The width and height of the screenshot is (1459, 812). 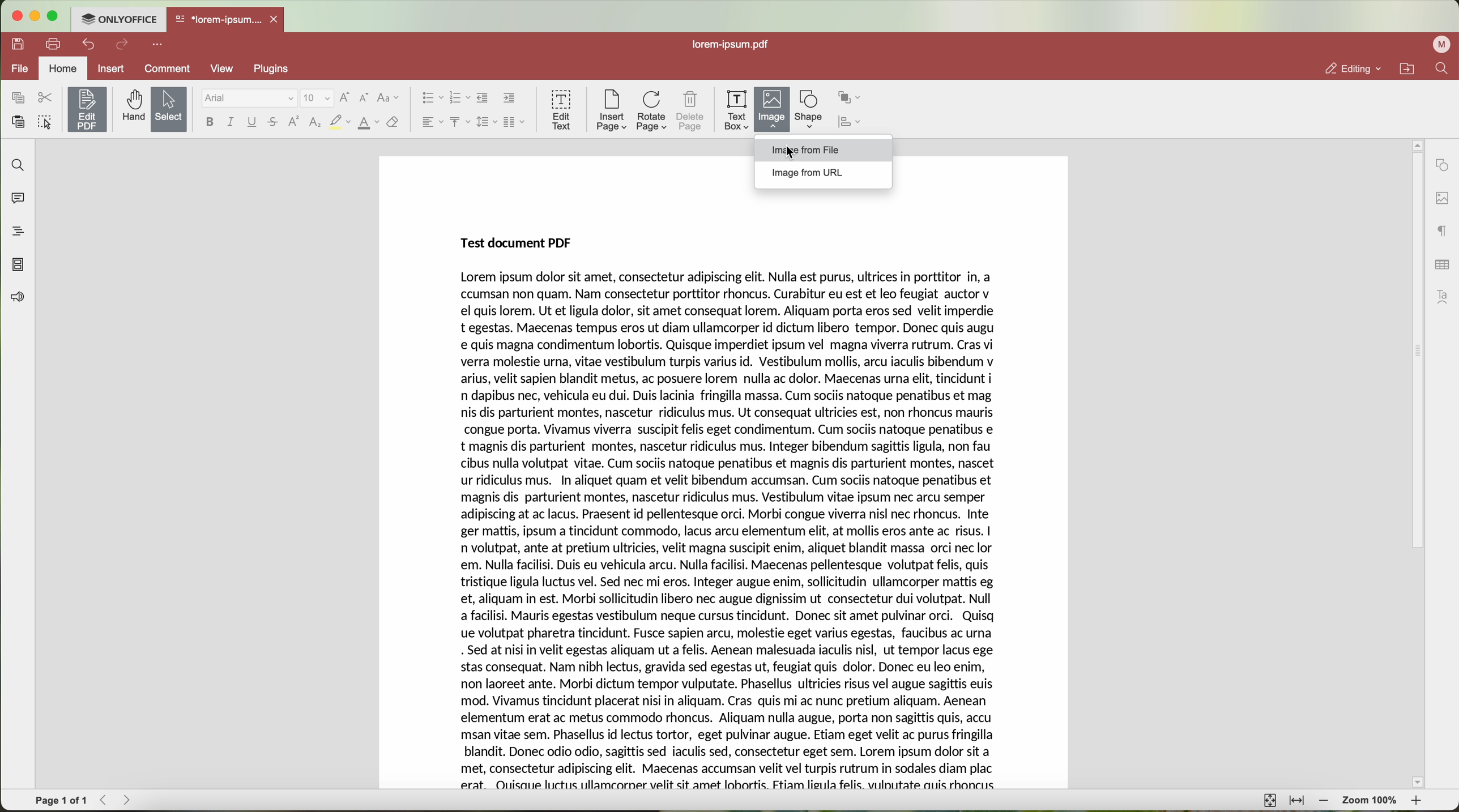 What do you see at coordinates (519, 242) in the screenshot?
I see `Test document PDF` at bounding box center [519, 242].